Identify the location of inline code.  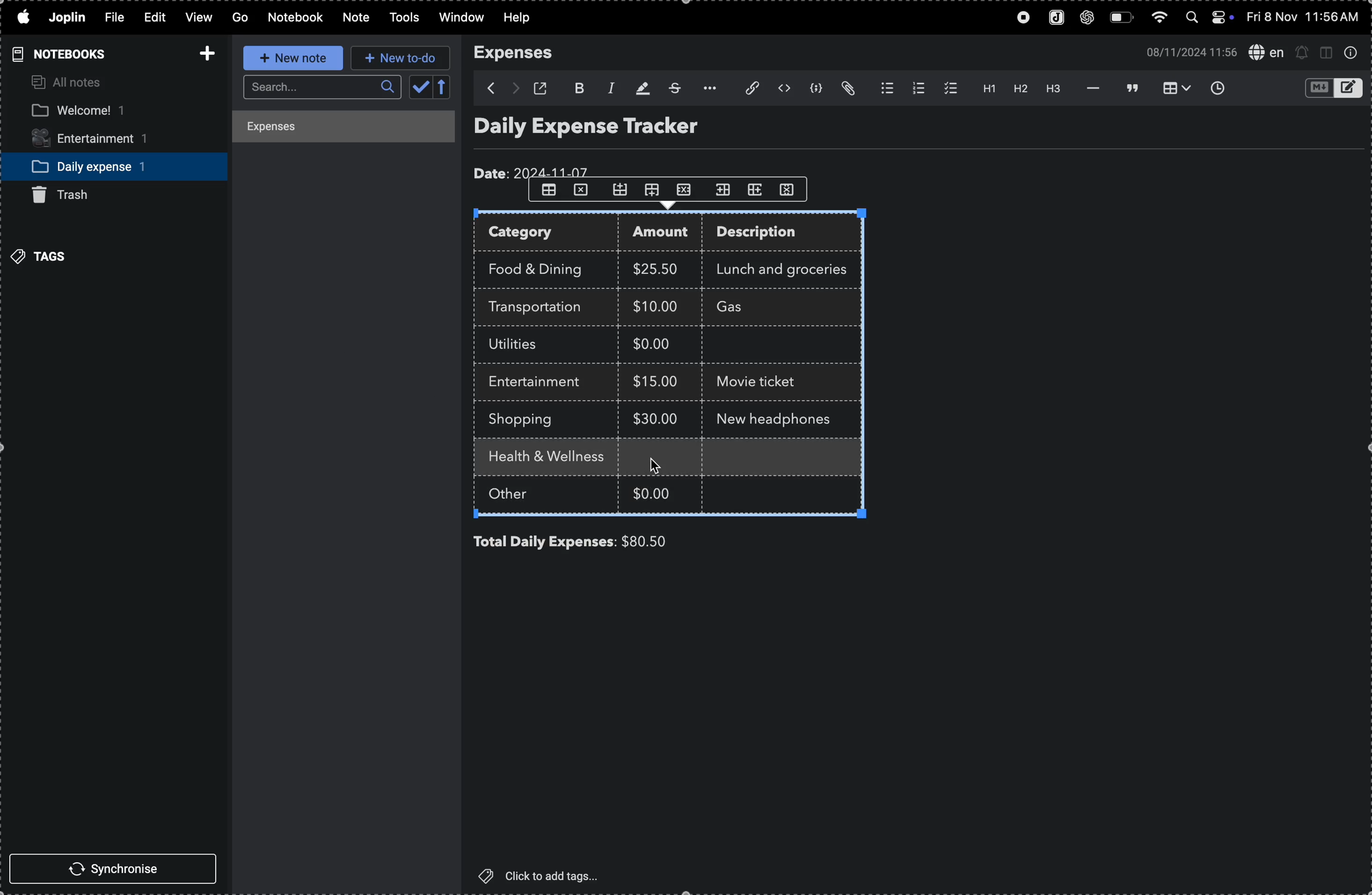
(783, 89).